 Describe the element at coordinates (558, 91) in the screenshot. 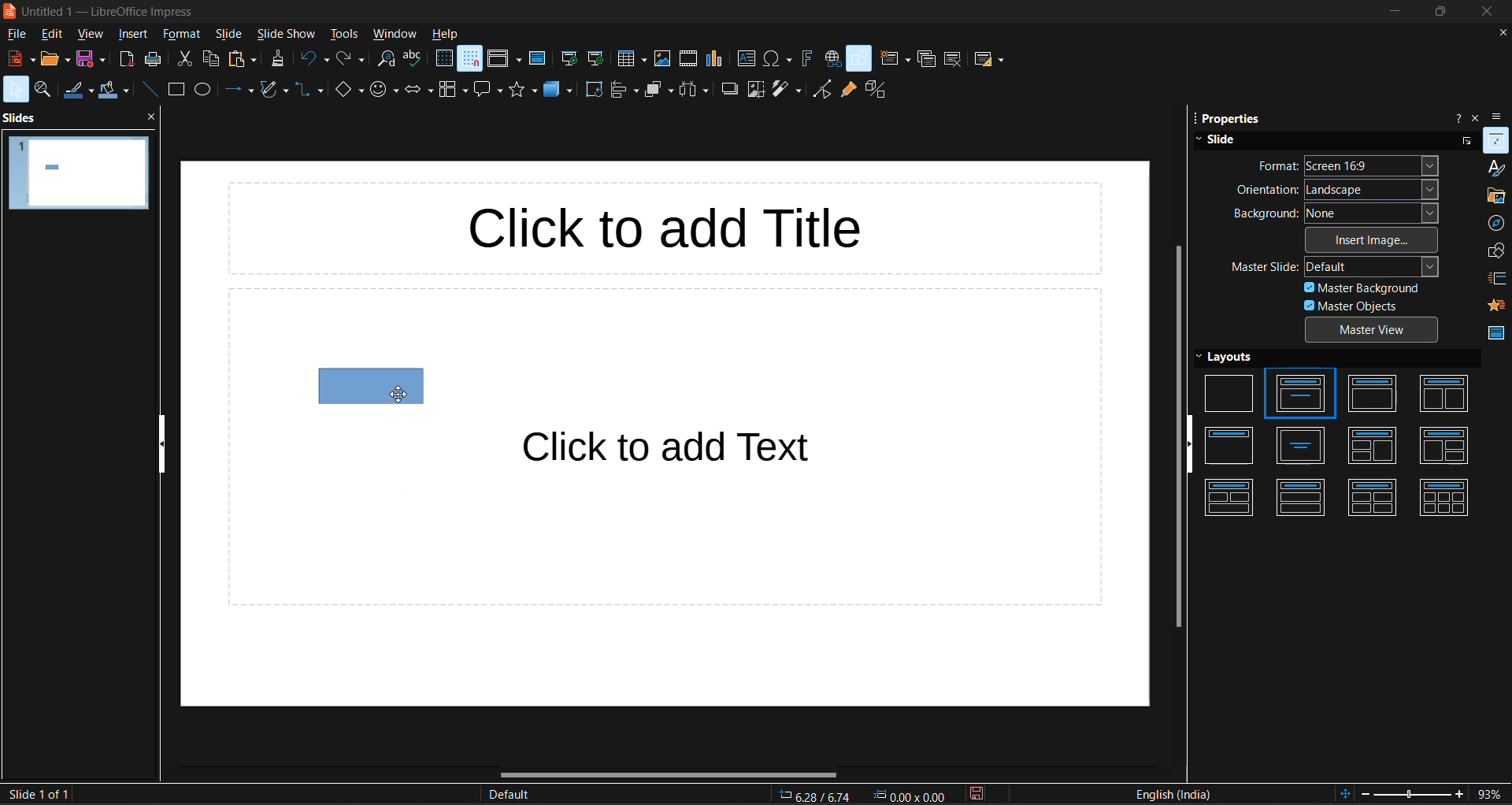

I see `3d objects` at that location.